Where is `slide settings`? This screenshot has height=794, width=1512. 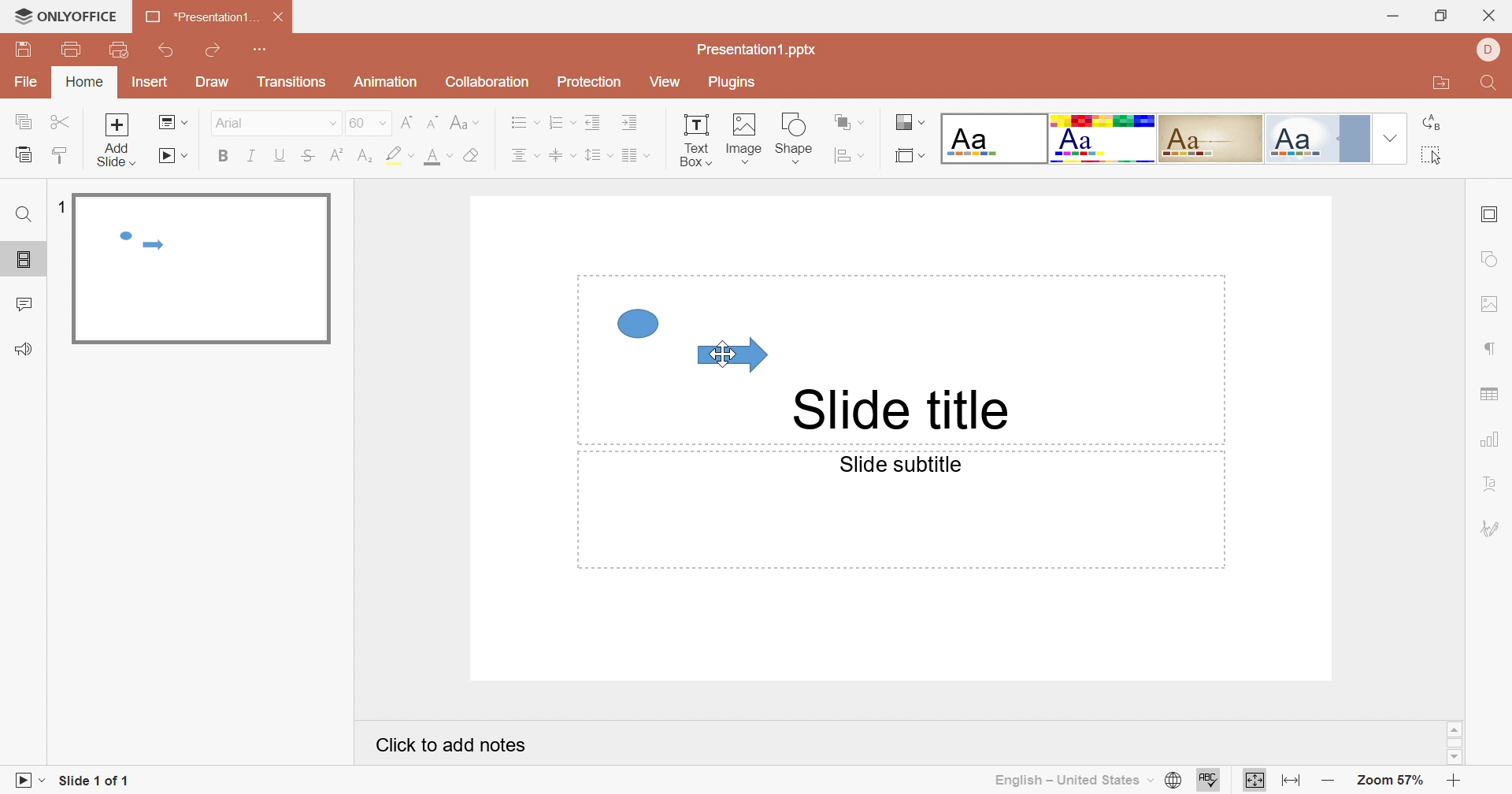 slide settings is located at coordinates (1492, 216).